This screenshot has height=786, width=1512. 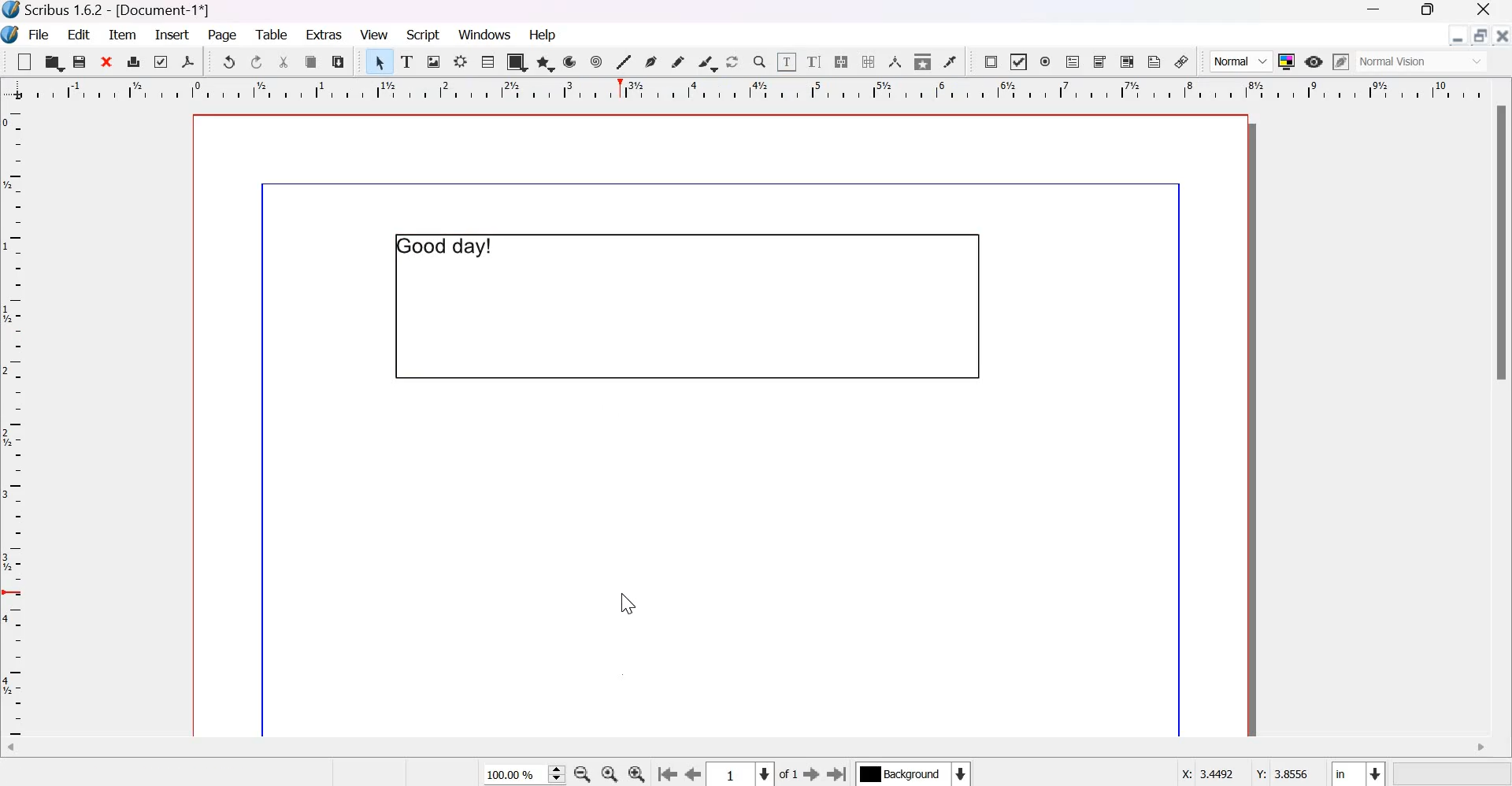 What do you see at coordinates (639, 775) in the screenshot?
I see `` at bounding box center [639, 775].